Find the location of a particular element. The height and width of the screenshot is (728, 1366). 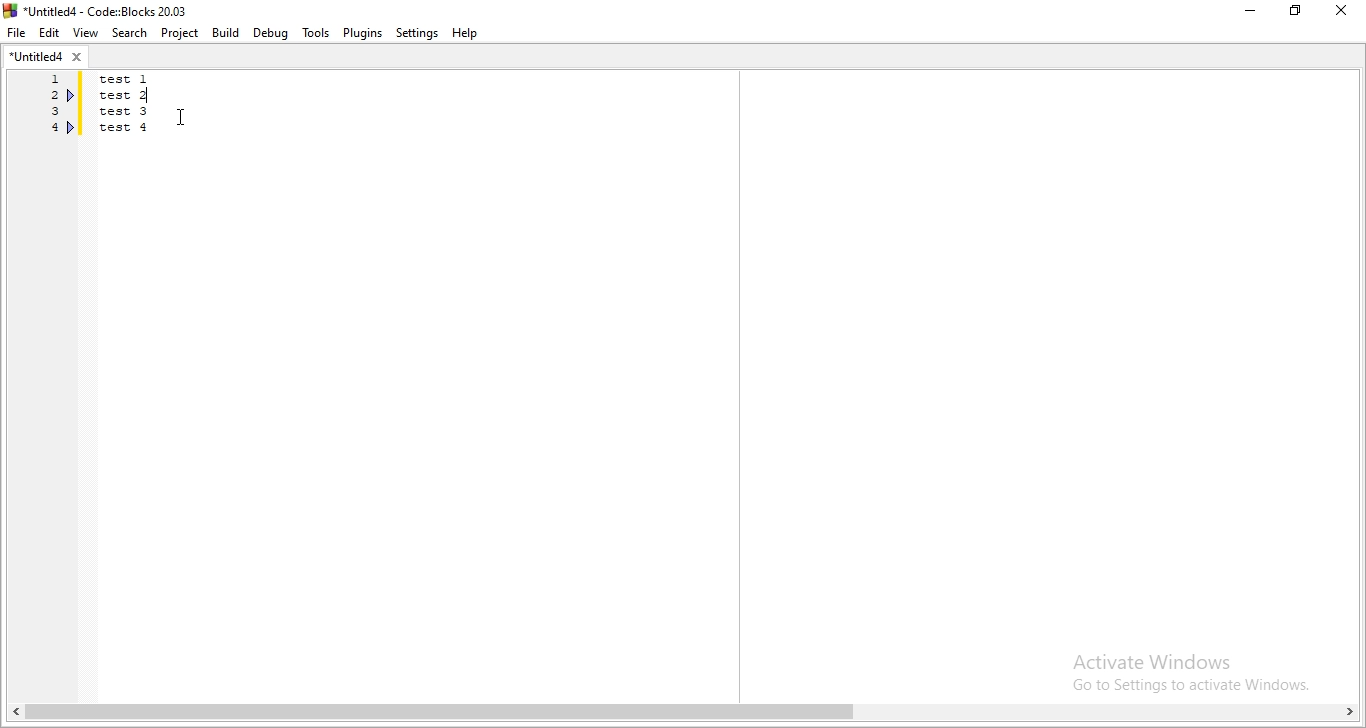

Build  is located at coordinates (224, 32).